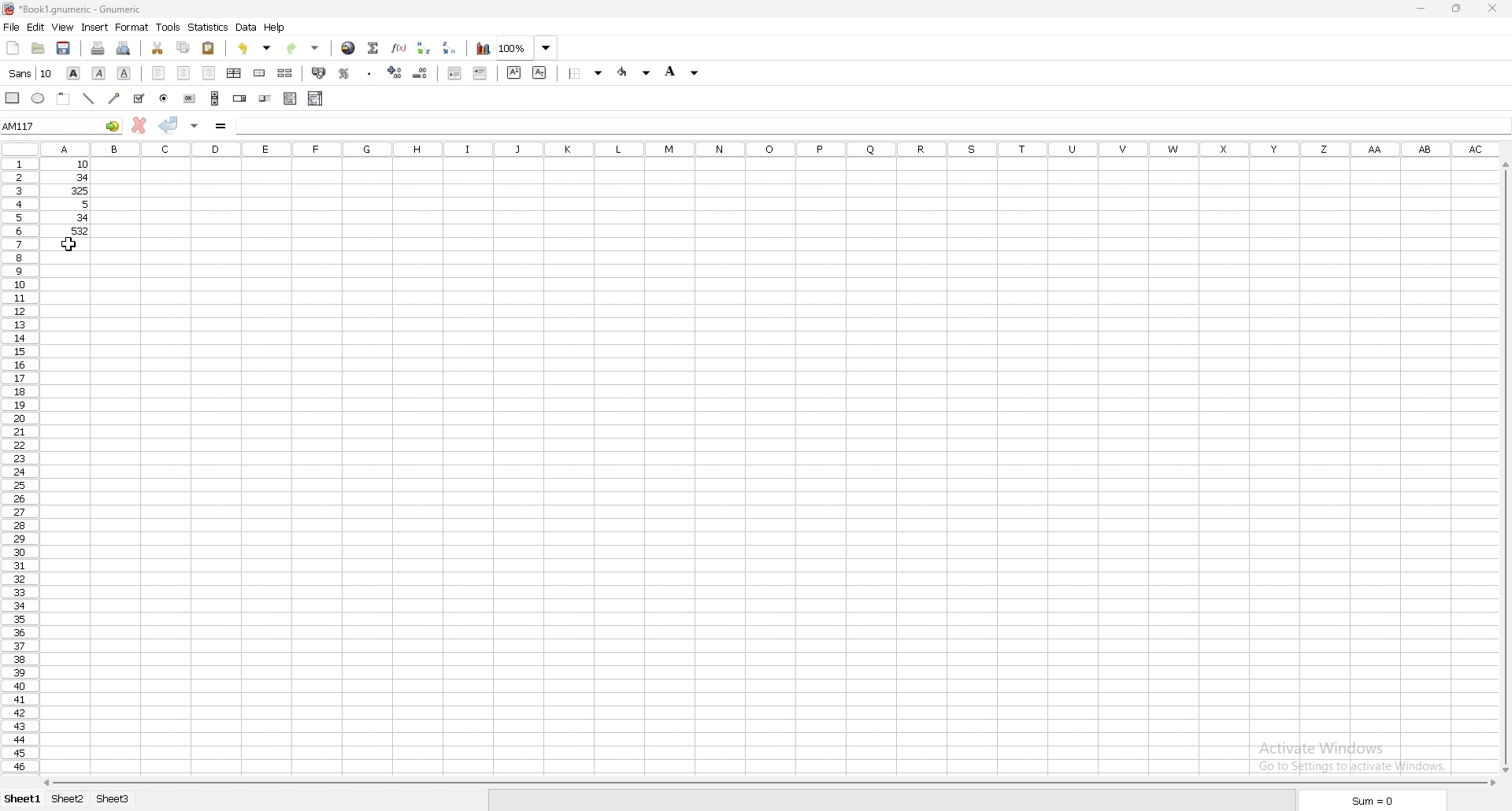  I want to click on print preview, so click(124, 48).